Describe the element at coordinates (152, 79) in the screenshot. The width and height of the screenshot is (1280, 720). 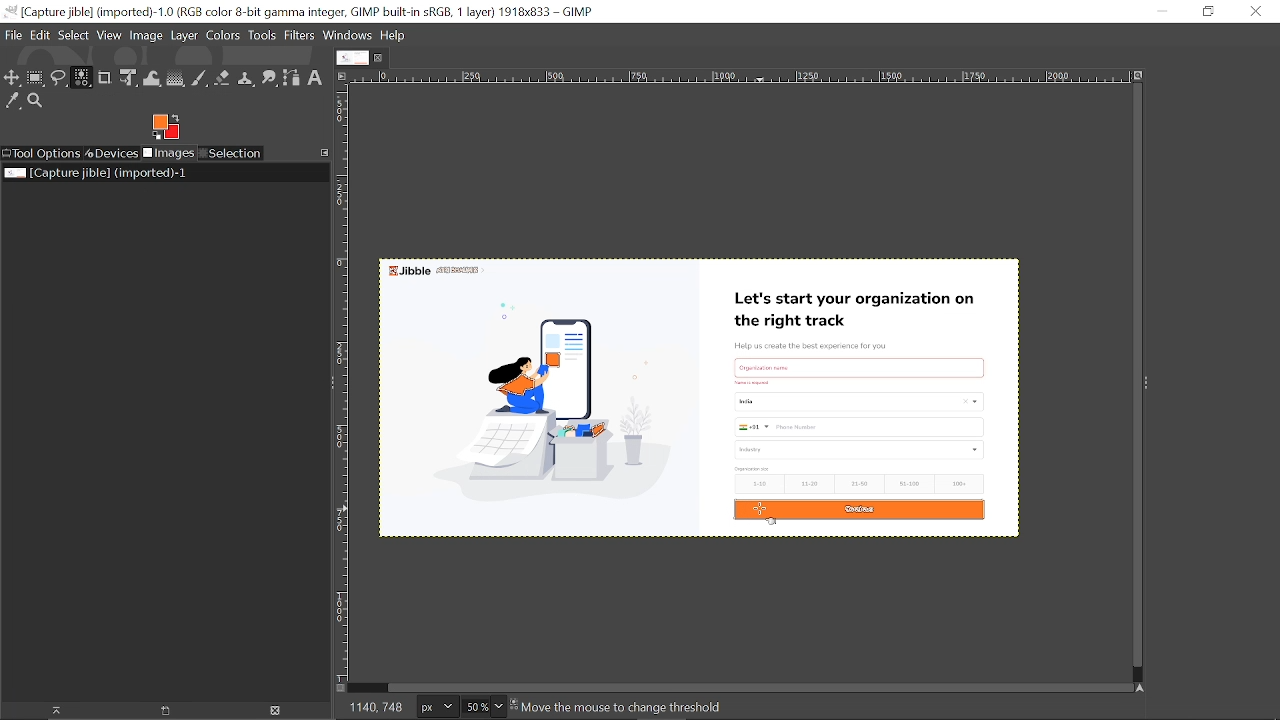
I see `Wrap text tool` at that location.